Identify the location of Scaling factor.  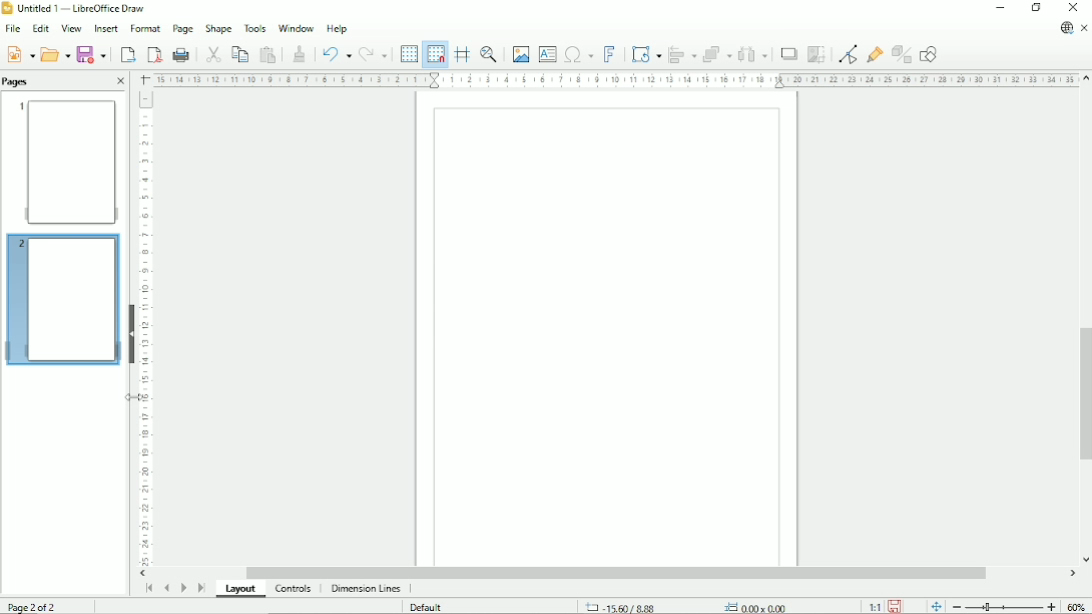
(874, 606).